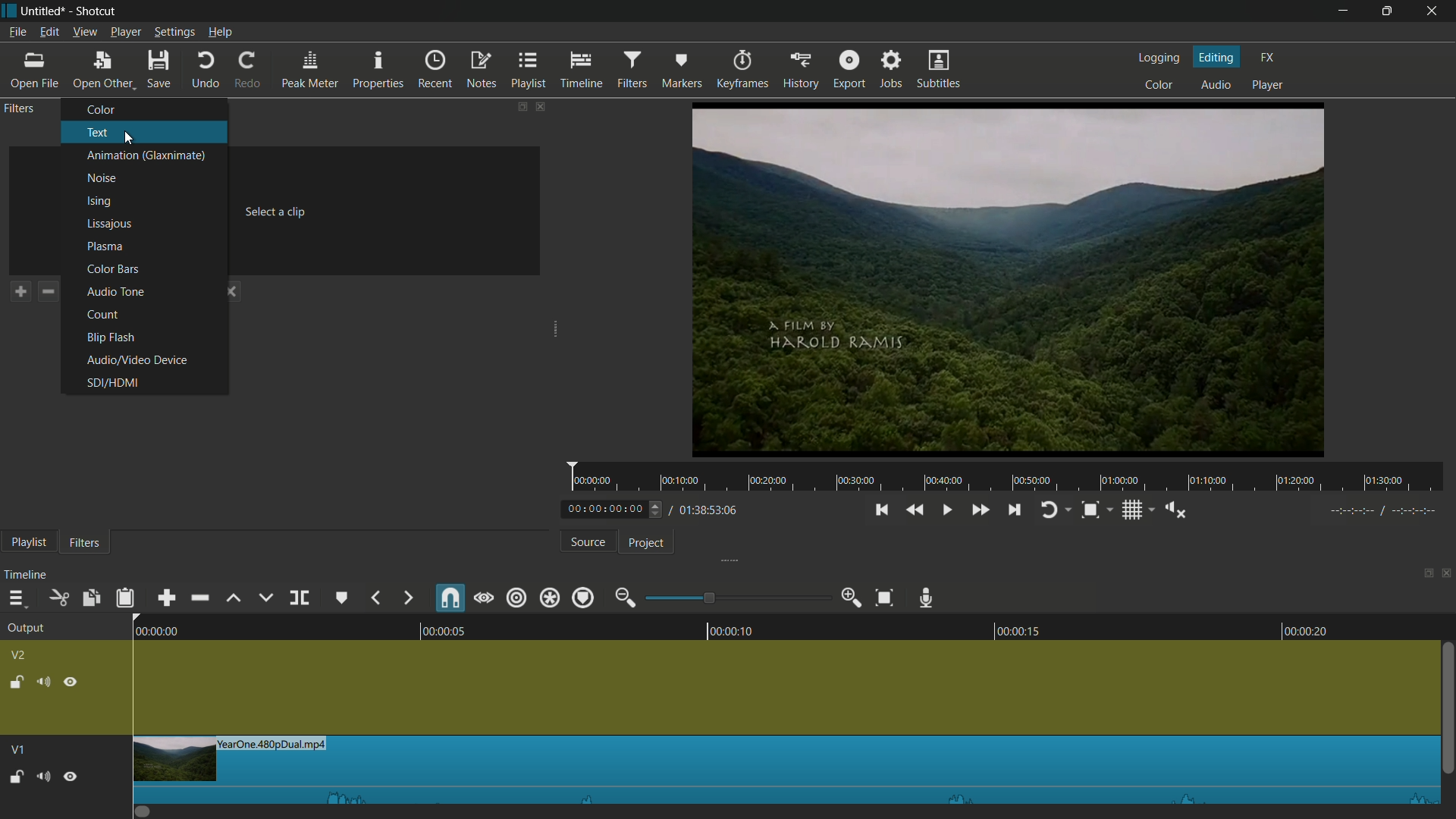 The height and width of the screenshot is (819, 1456). I want to click on cut, so click(60, 598).